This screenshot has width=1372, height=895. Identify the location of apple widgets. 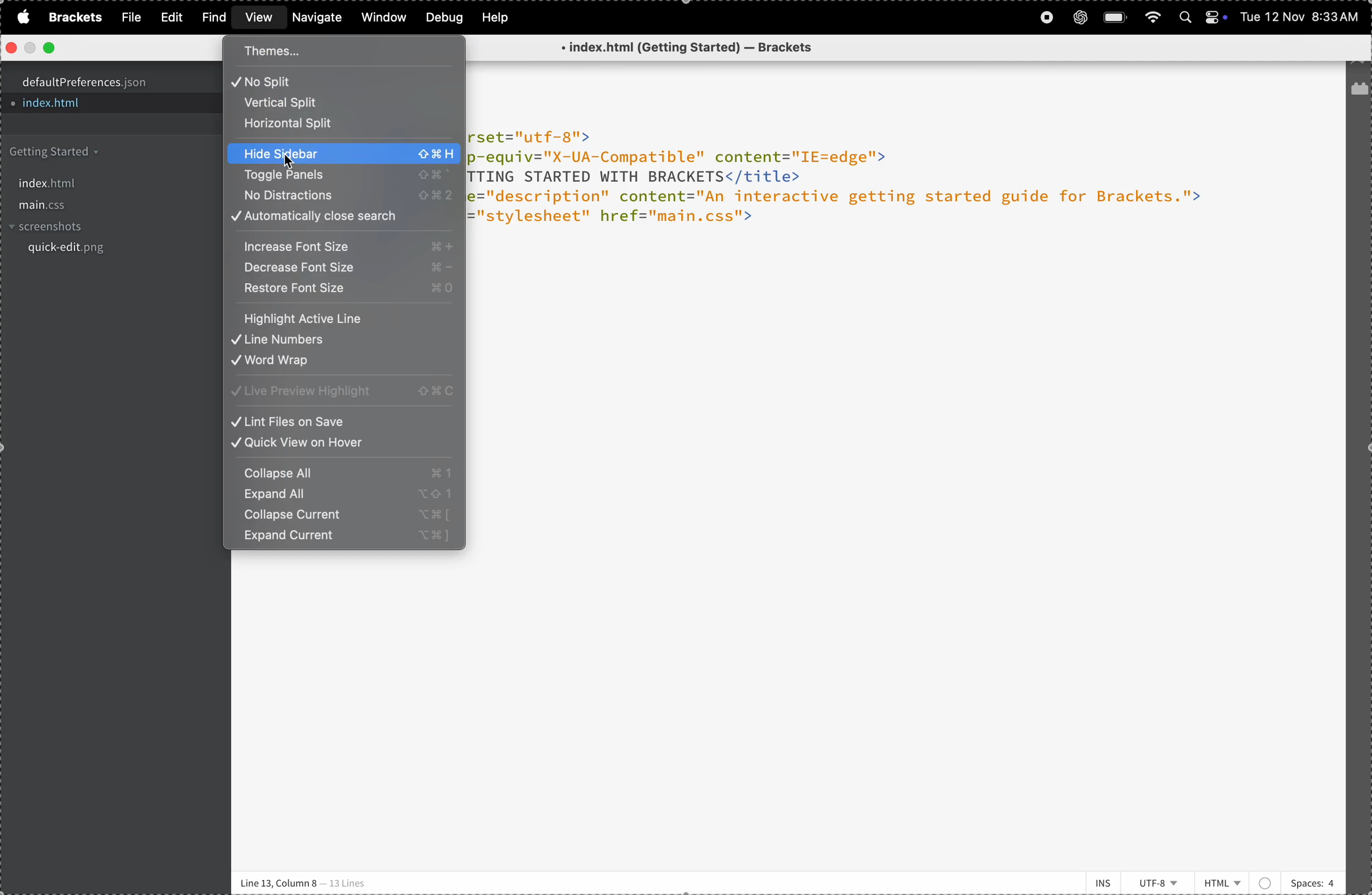
(1219, 14).